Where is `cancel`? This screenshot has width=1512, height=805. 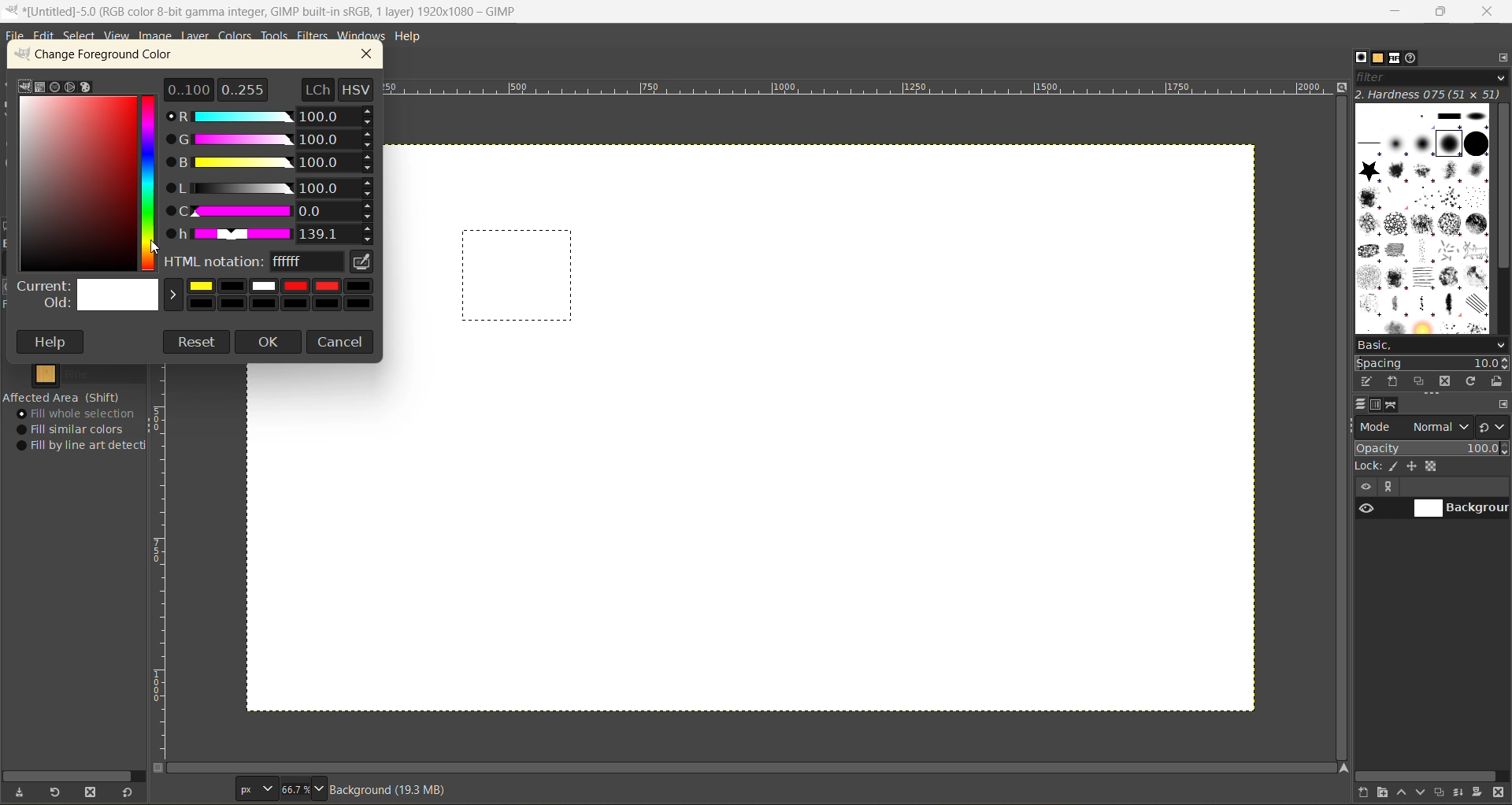 cancel is located at coordinates (343, 340).